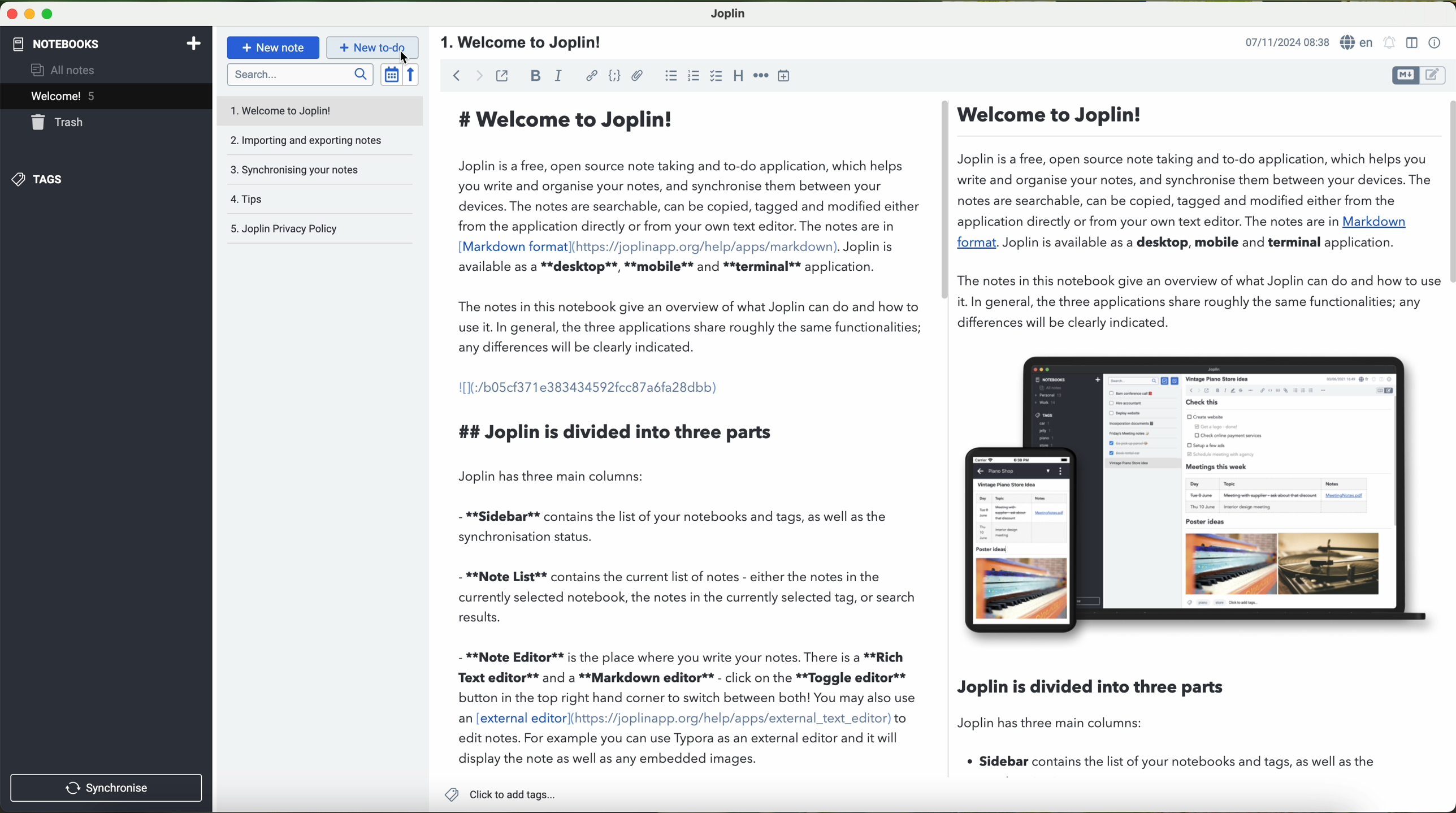 The height and width of the screenshot is (813, 1456). Describe the element at coordinates (593, 77) in the screenshot. I see `hyperlink` at that location.